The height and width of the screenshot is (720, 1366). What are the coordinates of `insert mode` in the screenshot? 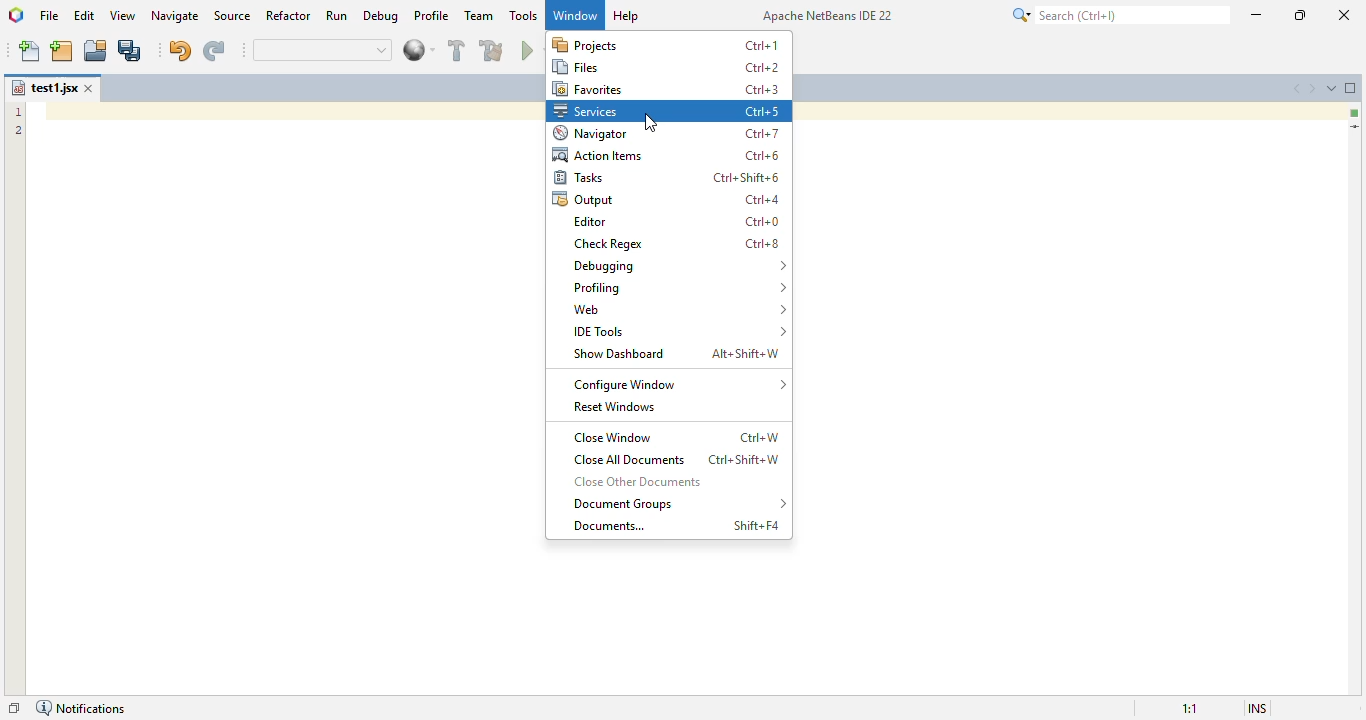 It's located at (1257, 707).